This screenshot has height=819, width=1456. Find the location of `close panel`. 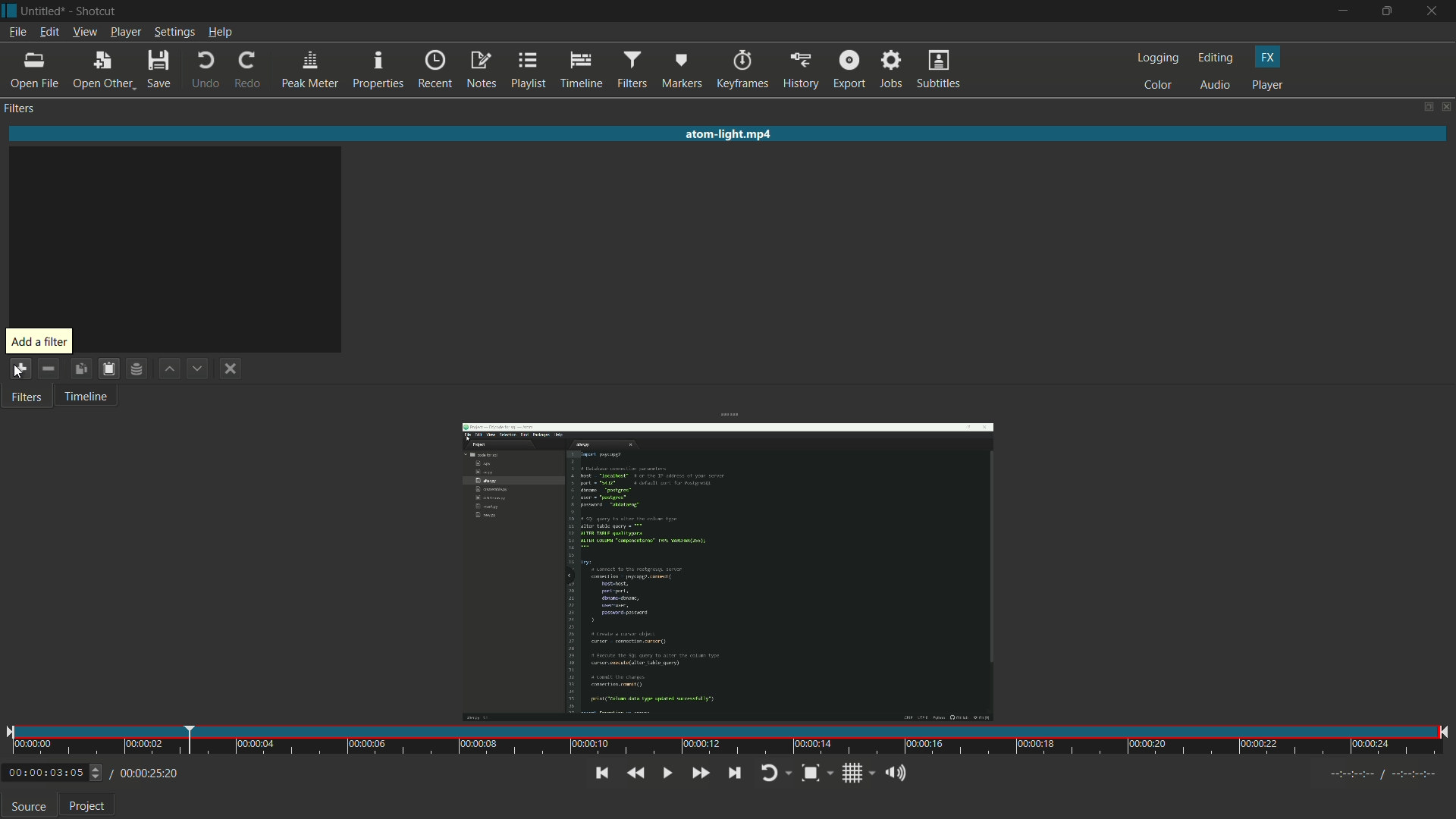

close panel is located at coordinates (1447, 108).